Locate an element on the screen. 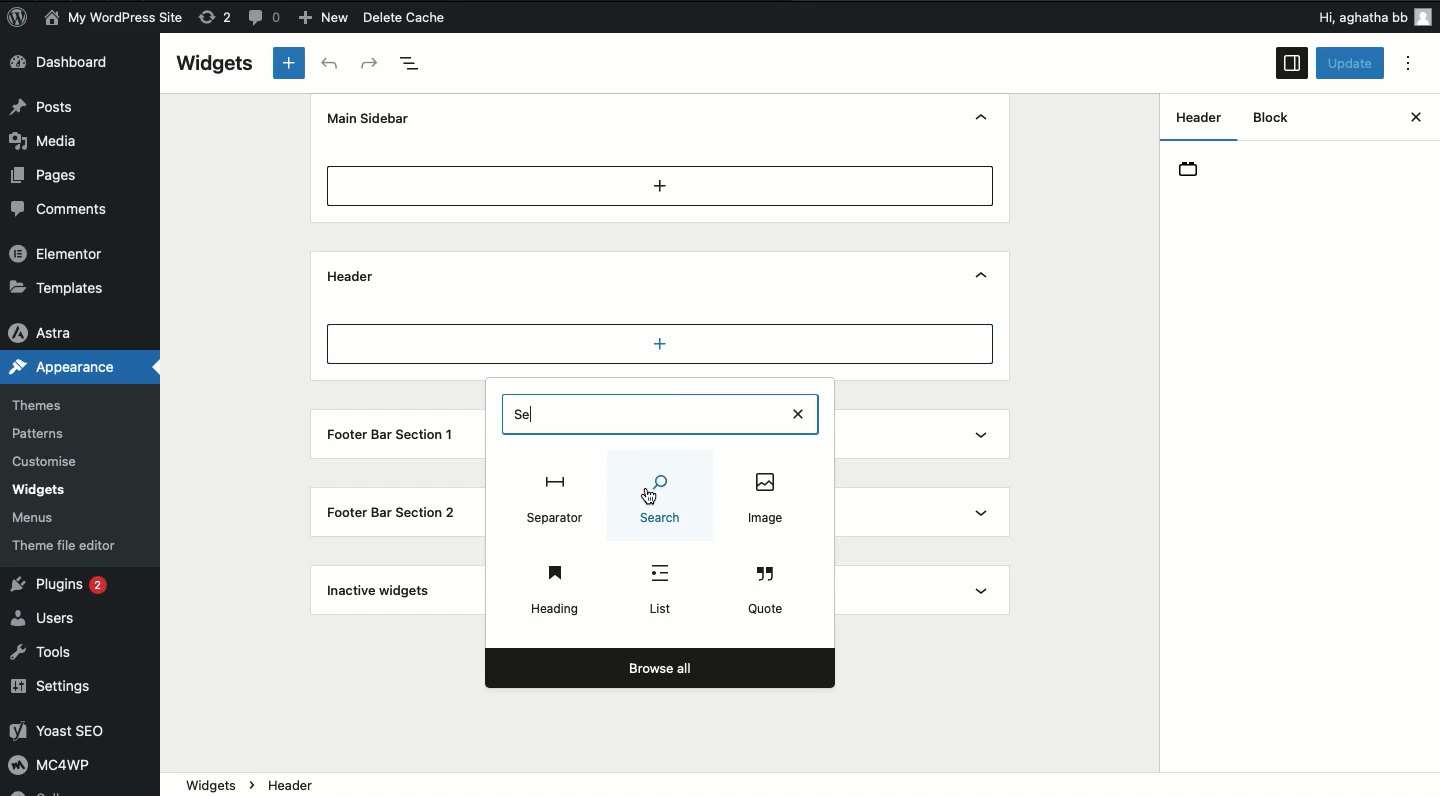 Image resolution: width=1440 pixels, height=796 pixels. My WordPress Site is located at coordinates (113, 18).